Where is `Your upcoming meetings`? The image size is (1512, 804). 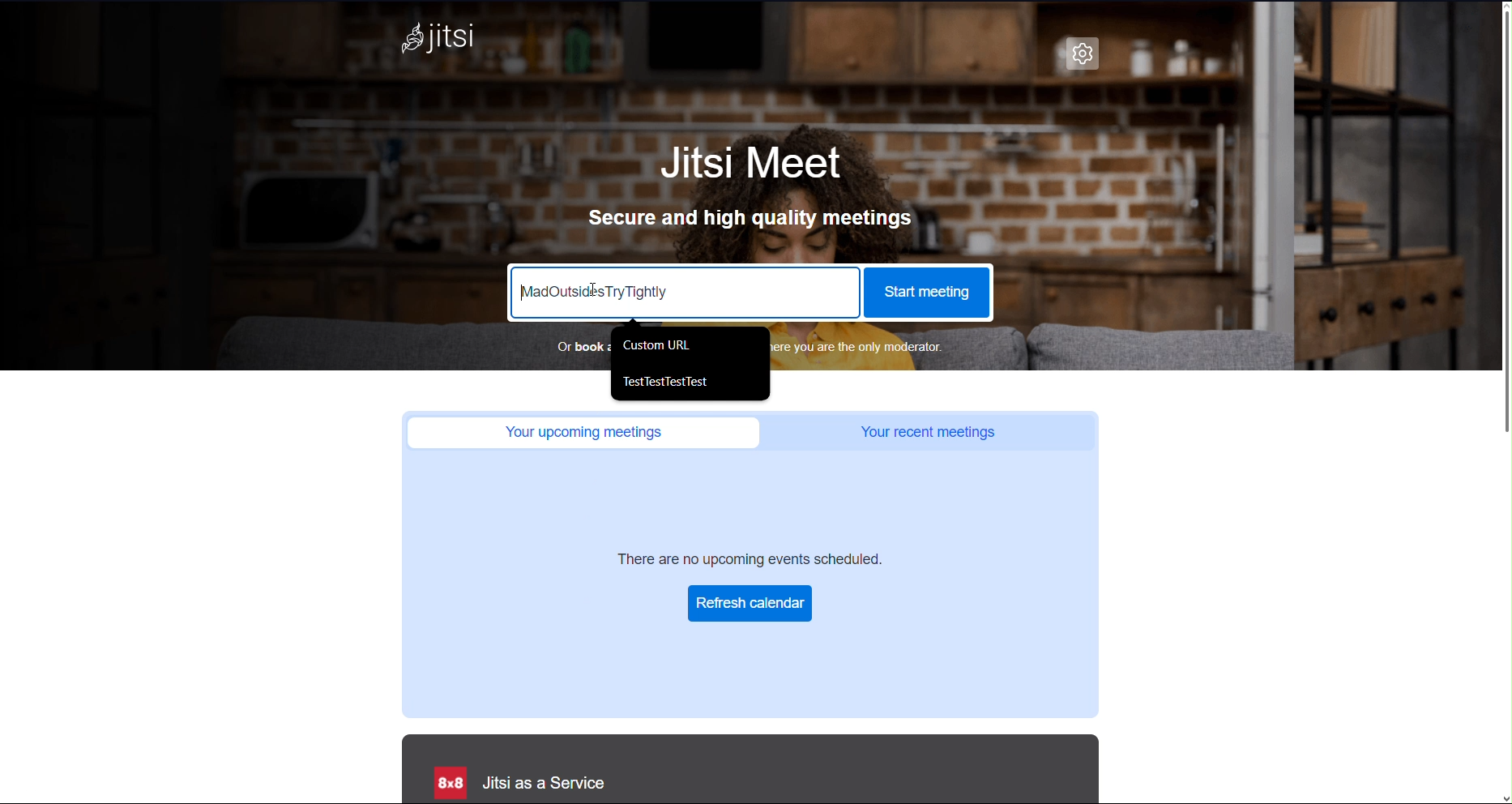
Your upcoming meetings is located at coordinates (576, 432).